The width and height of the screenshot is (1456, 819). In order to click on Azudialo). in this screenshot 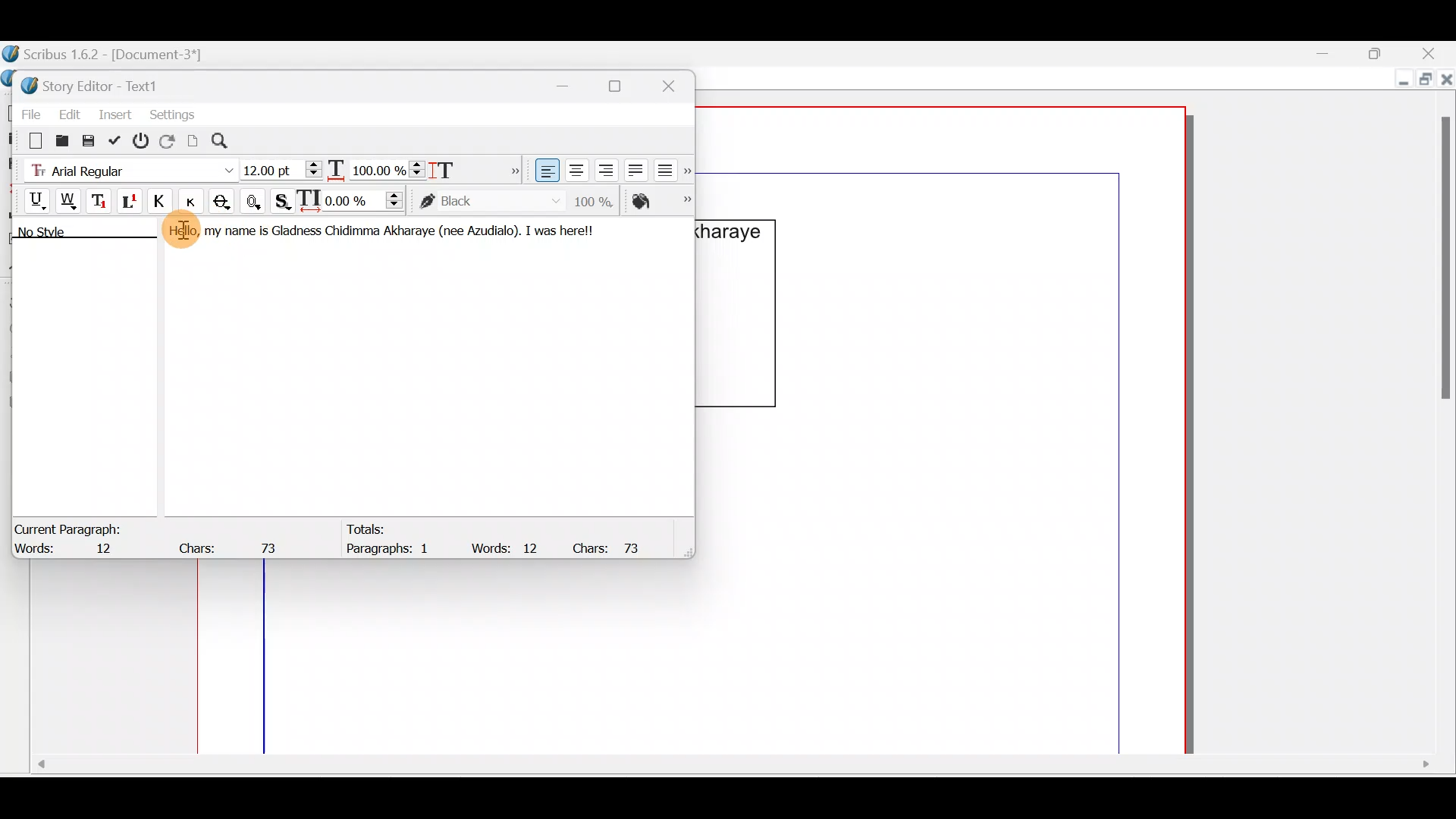, I will do `click(492, 229)`.